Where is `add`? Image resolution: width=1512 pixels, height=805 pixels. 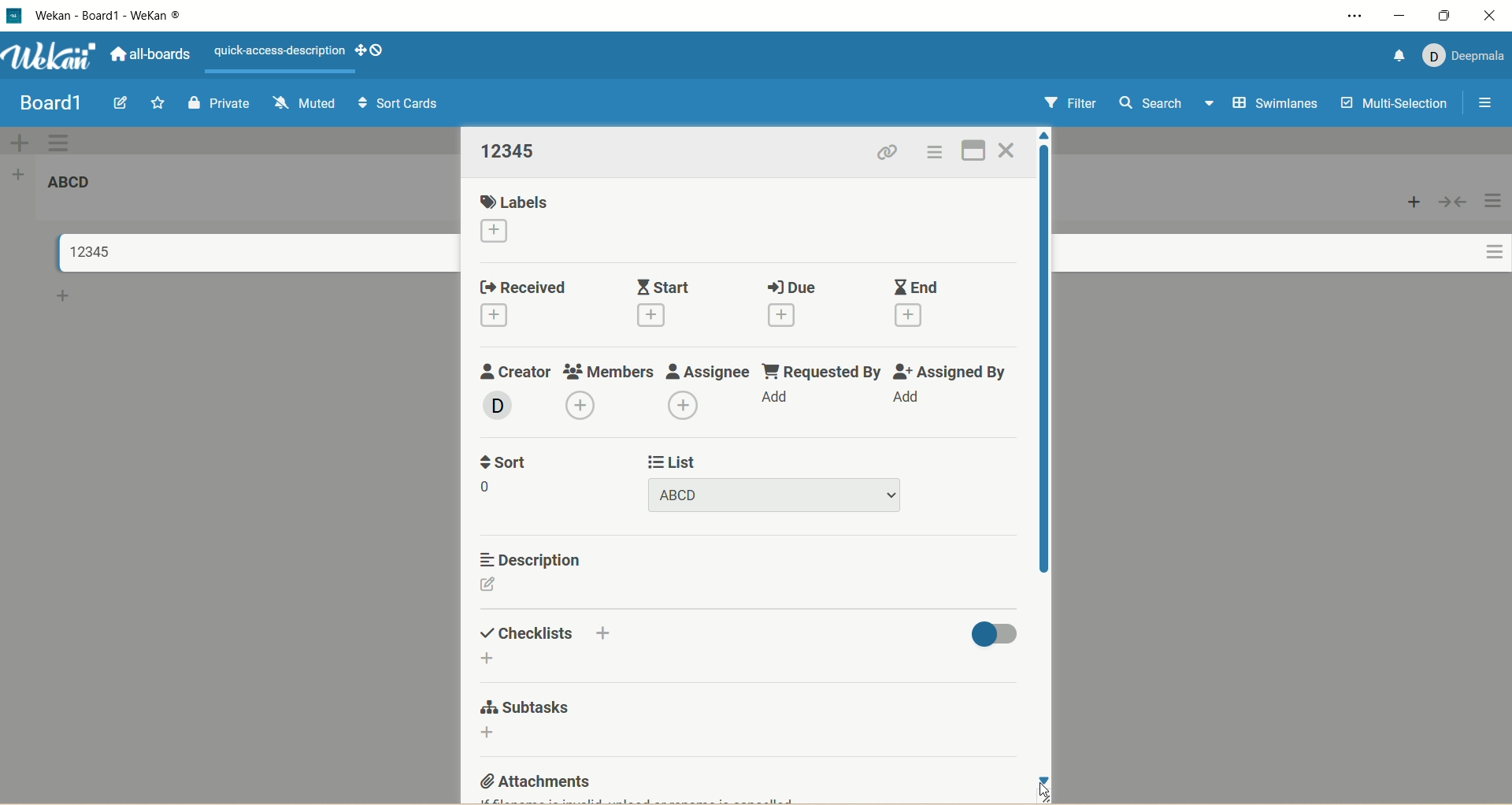 add is located at coordinates (498, 231).